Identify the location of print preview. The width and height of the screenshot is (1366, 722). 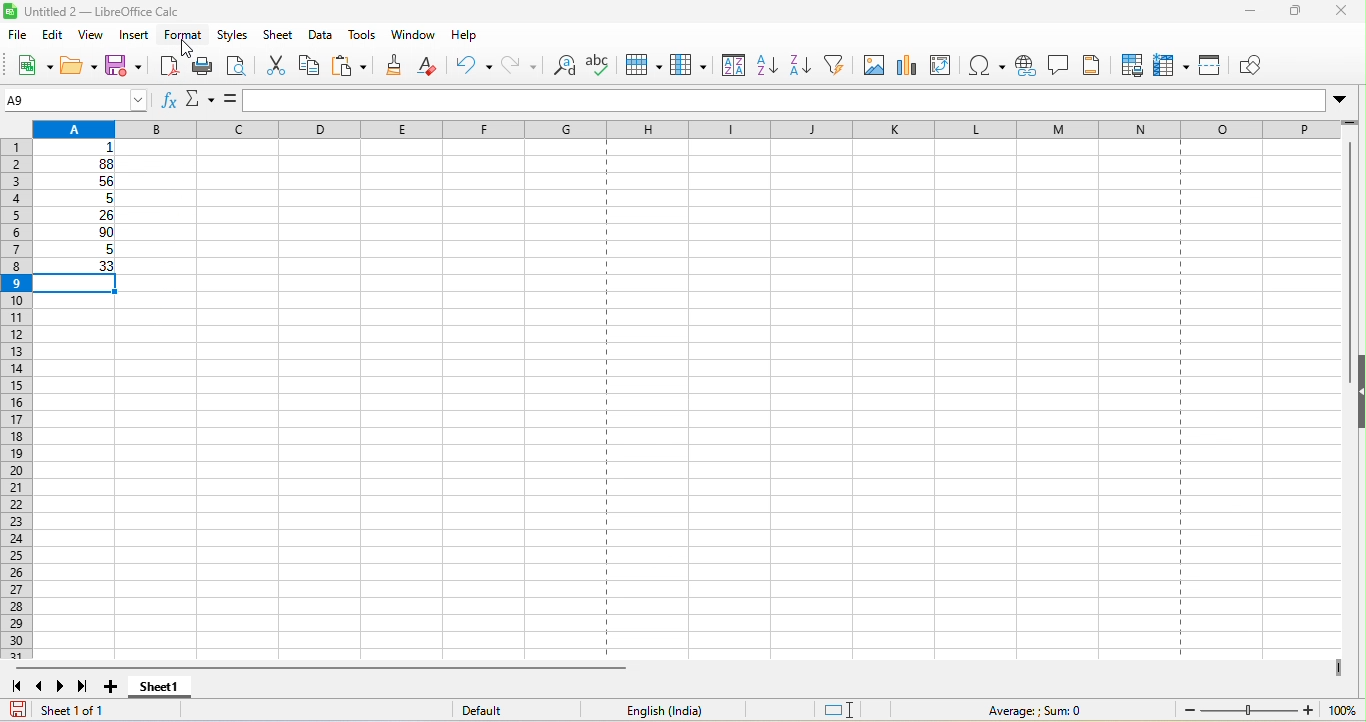
(243, 67).